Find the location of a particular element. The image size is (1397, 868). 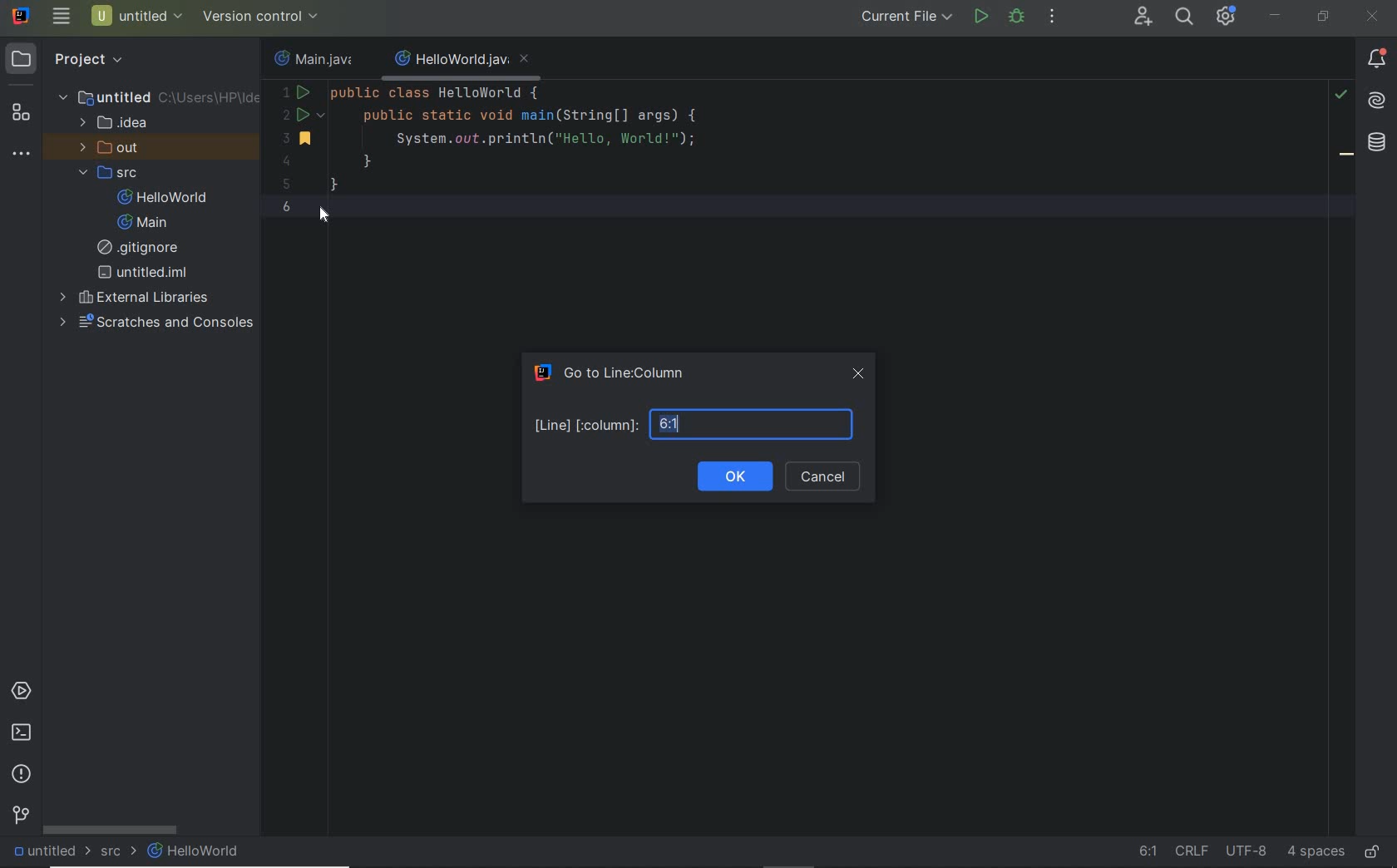

Go to Line:Column is located at coordinates (619, 372).